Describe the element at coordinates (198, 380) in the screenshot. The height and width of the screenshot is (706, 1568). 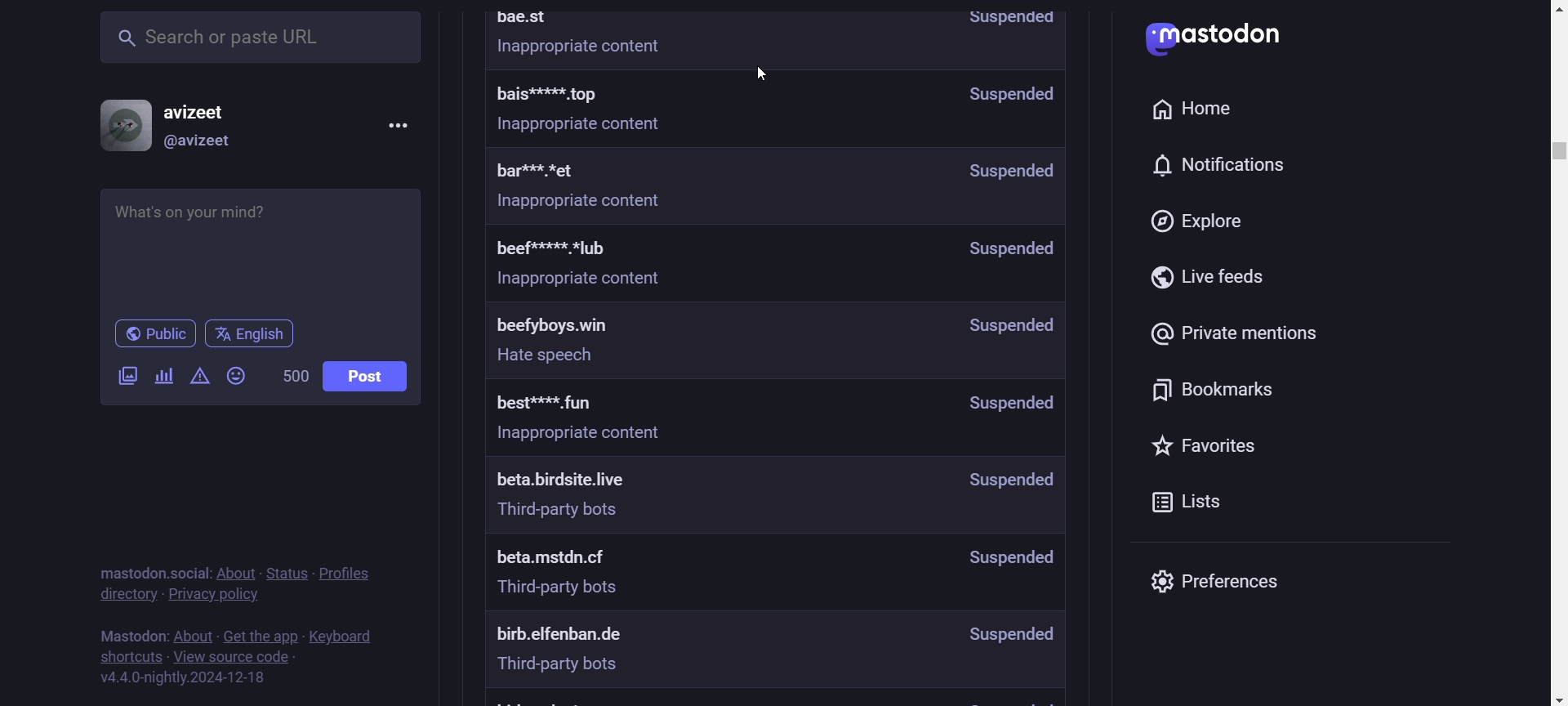
I see `add content warning` at that location.